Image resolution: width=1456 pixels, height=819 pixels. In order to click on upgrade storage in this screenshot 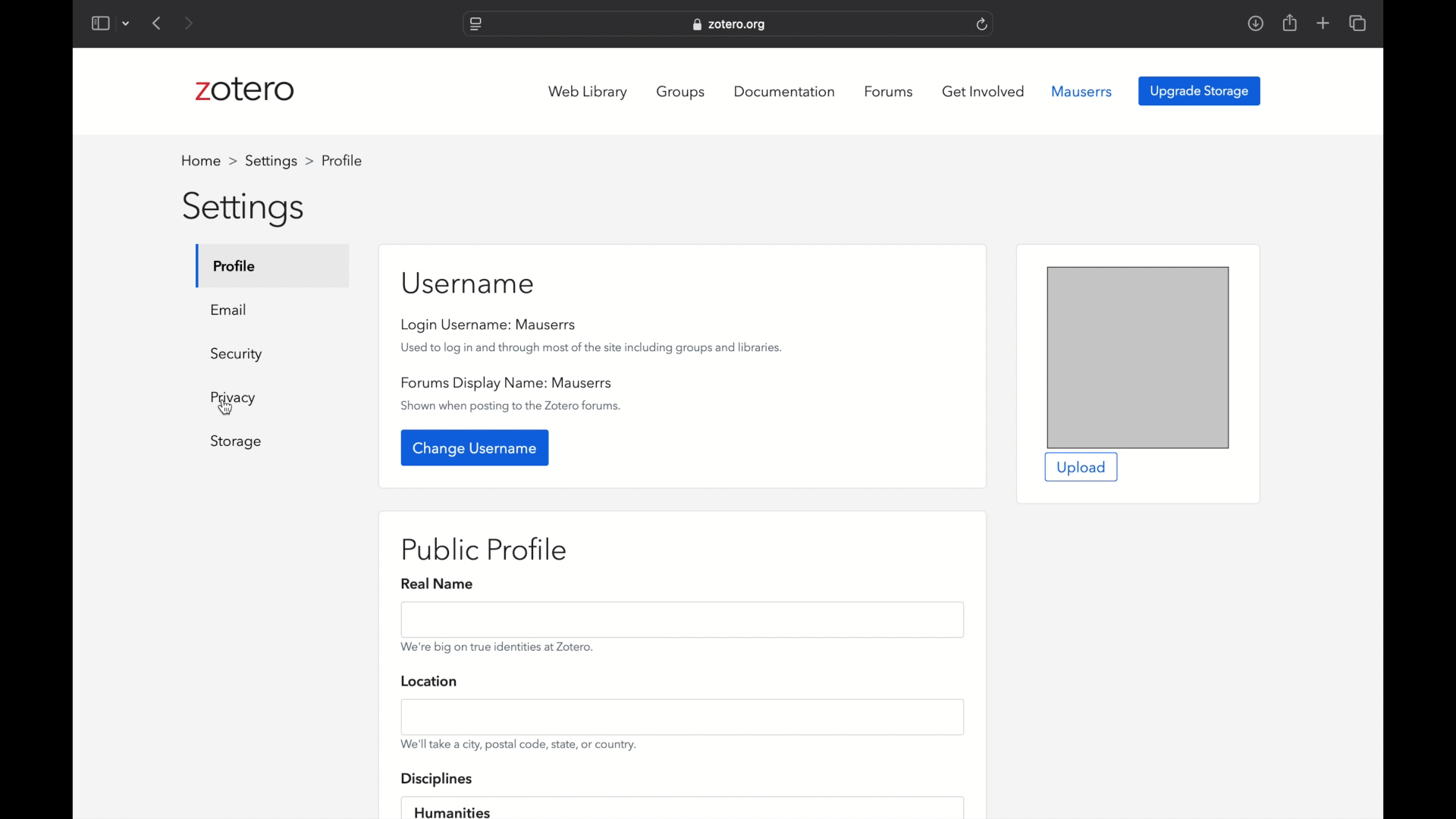, I will do `click(1200, 91)`.